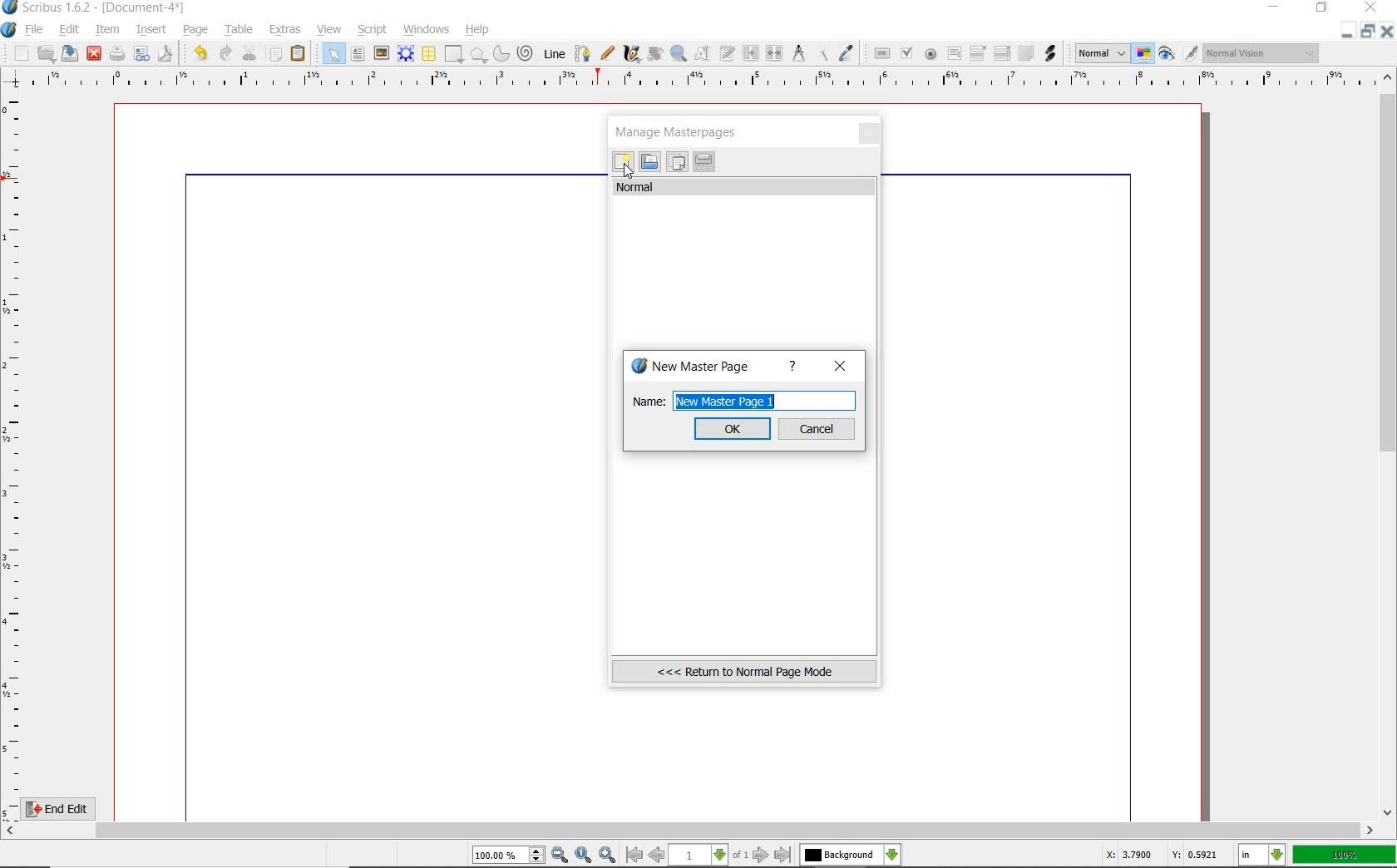 Image resolution: width=1397 pixels, height=868 pixels. I want to click on pdf check box, so click(906, 53).